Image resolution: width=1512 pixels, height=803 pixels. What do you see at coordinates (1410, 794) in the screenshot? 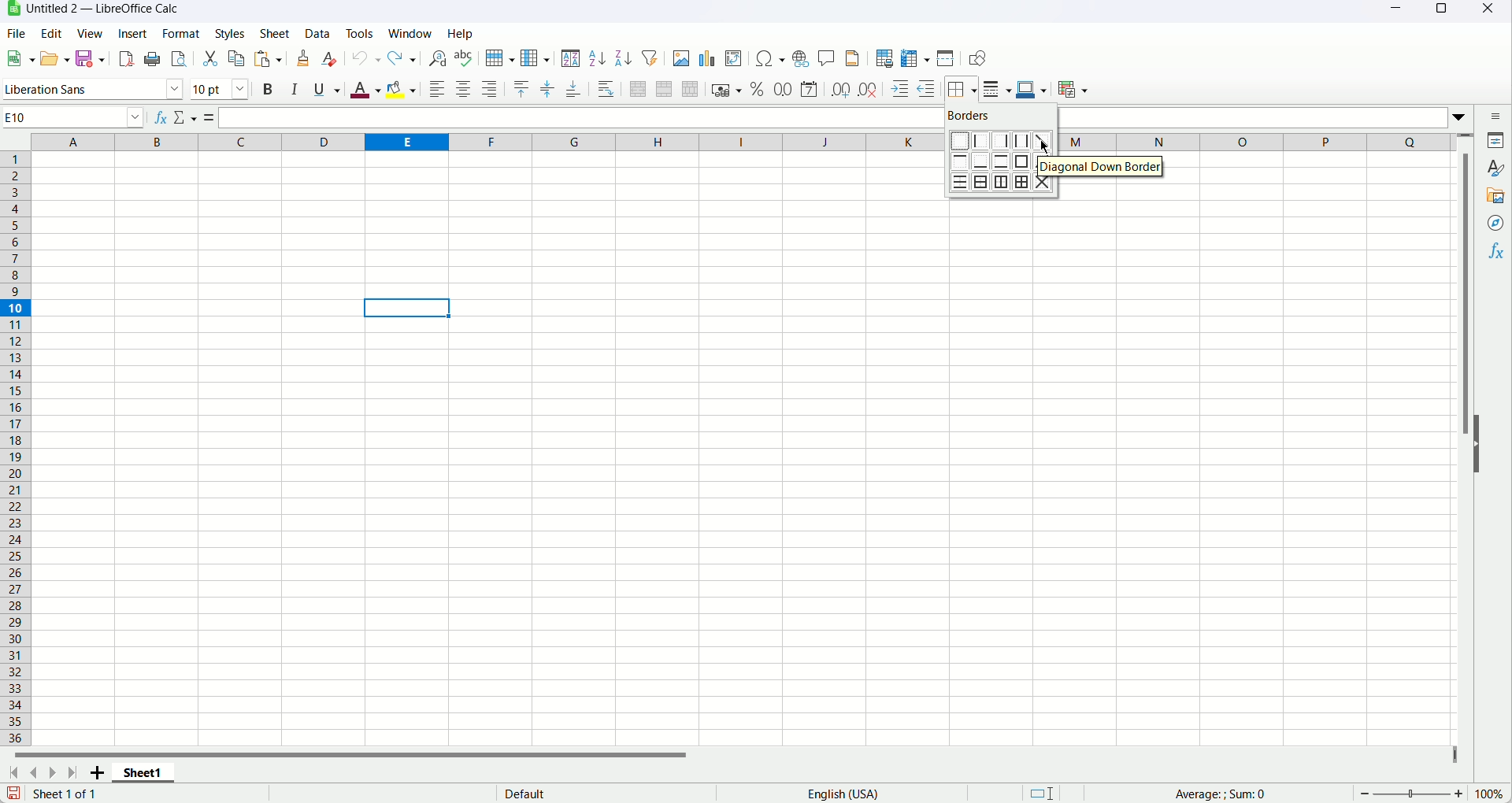
I see `Zoom` at bounding box center [1410, 794].